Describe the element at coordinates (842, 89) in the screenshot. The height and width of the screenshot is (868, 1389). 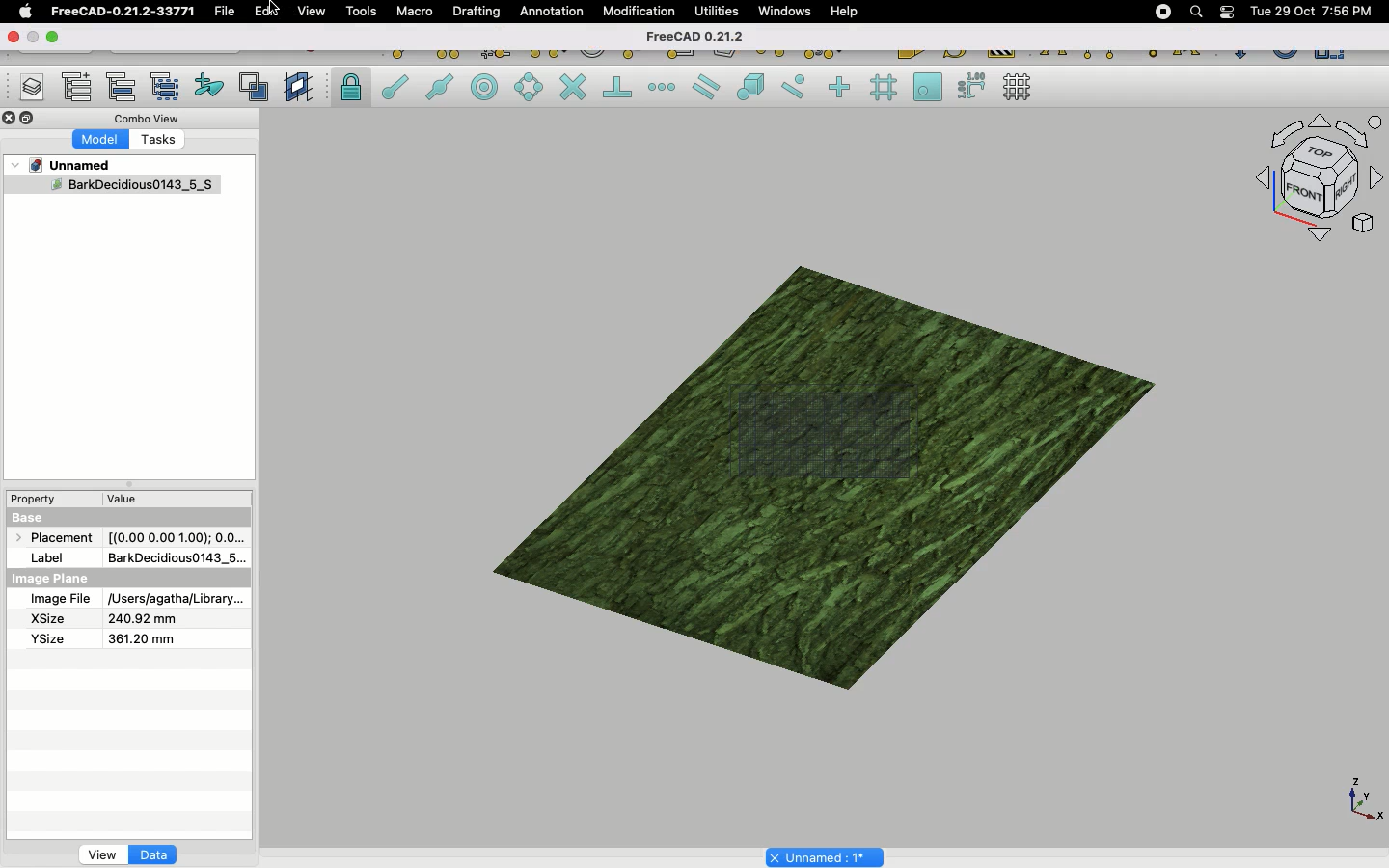
I see `Snap ortho` at that location.